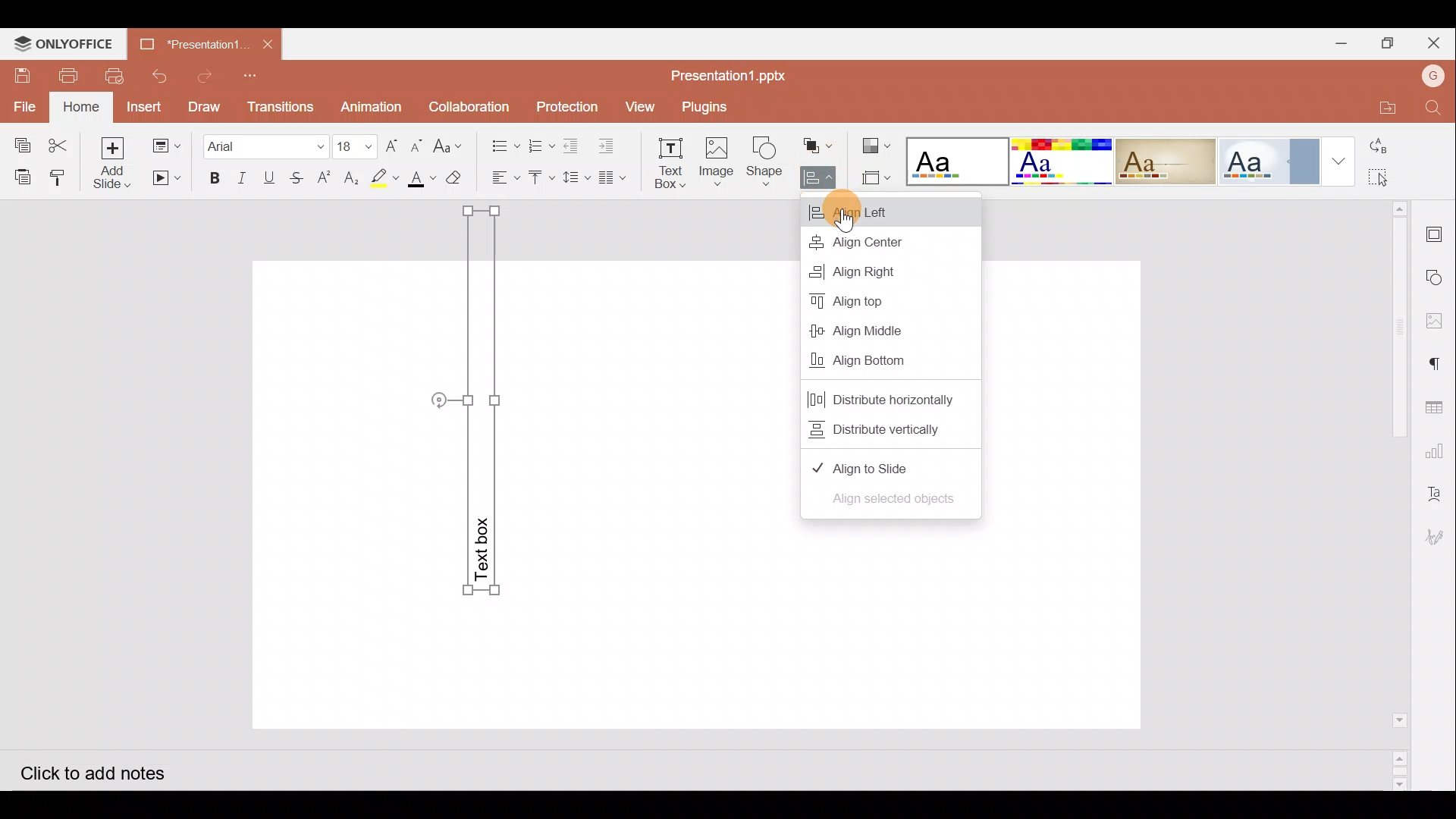  Describe the element at coordinates (206, 76) in the screenshot. I see `Redo` at that location.